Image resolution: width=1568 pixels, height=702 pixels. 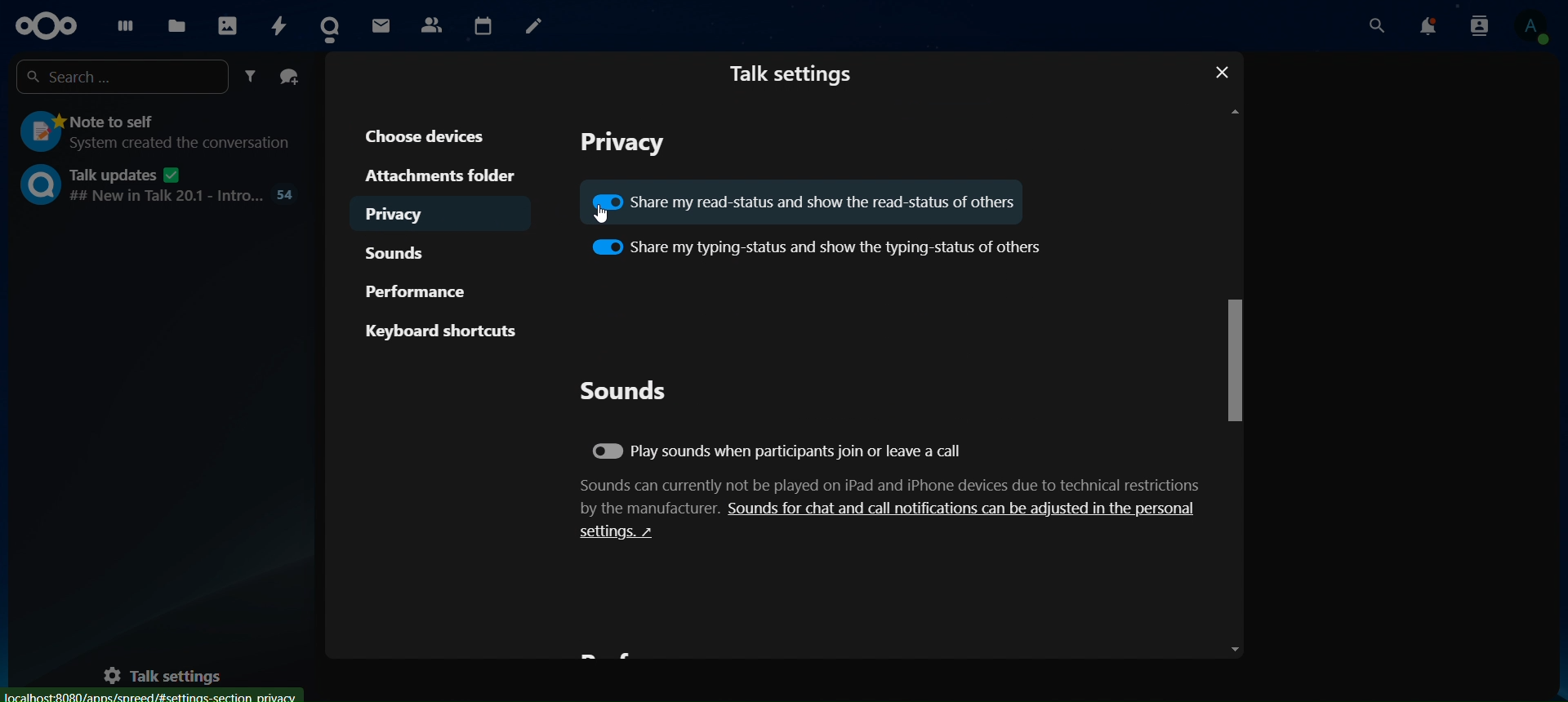 What do you see at coordinates (279, 24) in the screenshot?
I see `activity` at bounding box center [279, 24].